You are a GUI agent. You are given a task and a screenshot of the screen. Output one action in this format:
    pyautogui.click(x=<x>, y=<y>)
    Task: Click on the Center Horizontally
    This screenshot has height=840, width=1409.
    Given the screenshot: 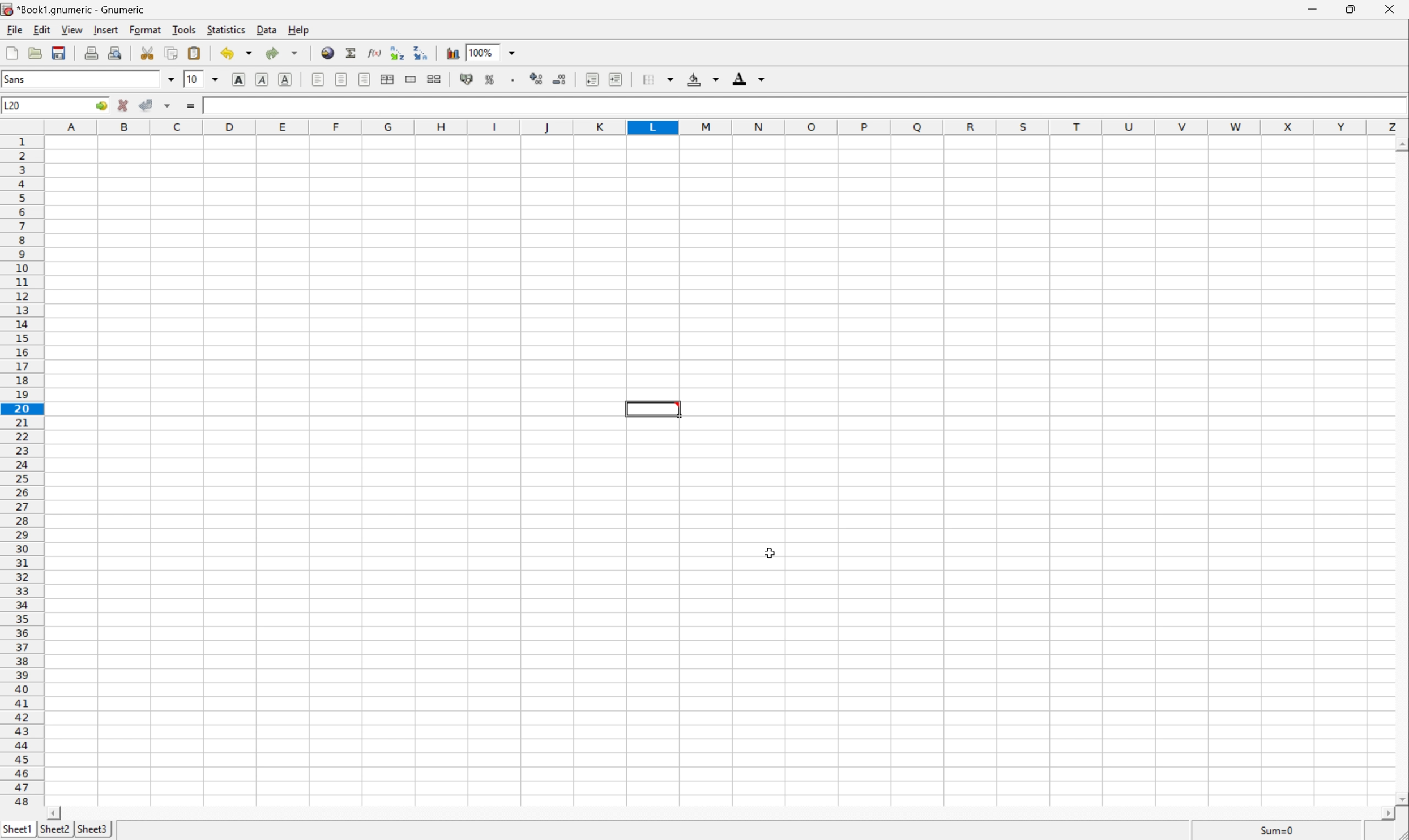 What is the action you would take?
    pyautogui.click(x=342, y=80)
    